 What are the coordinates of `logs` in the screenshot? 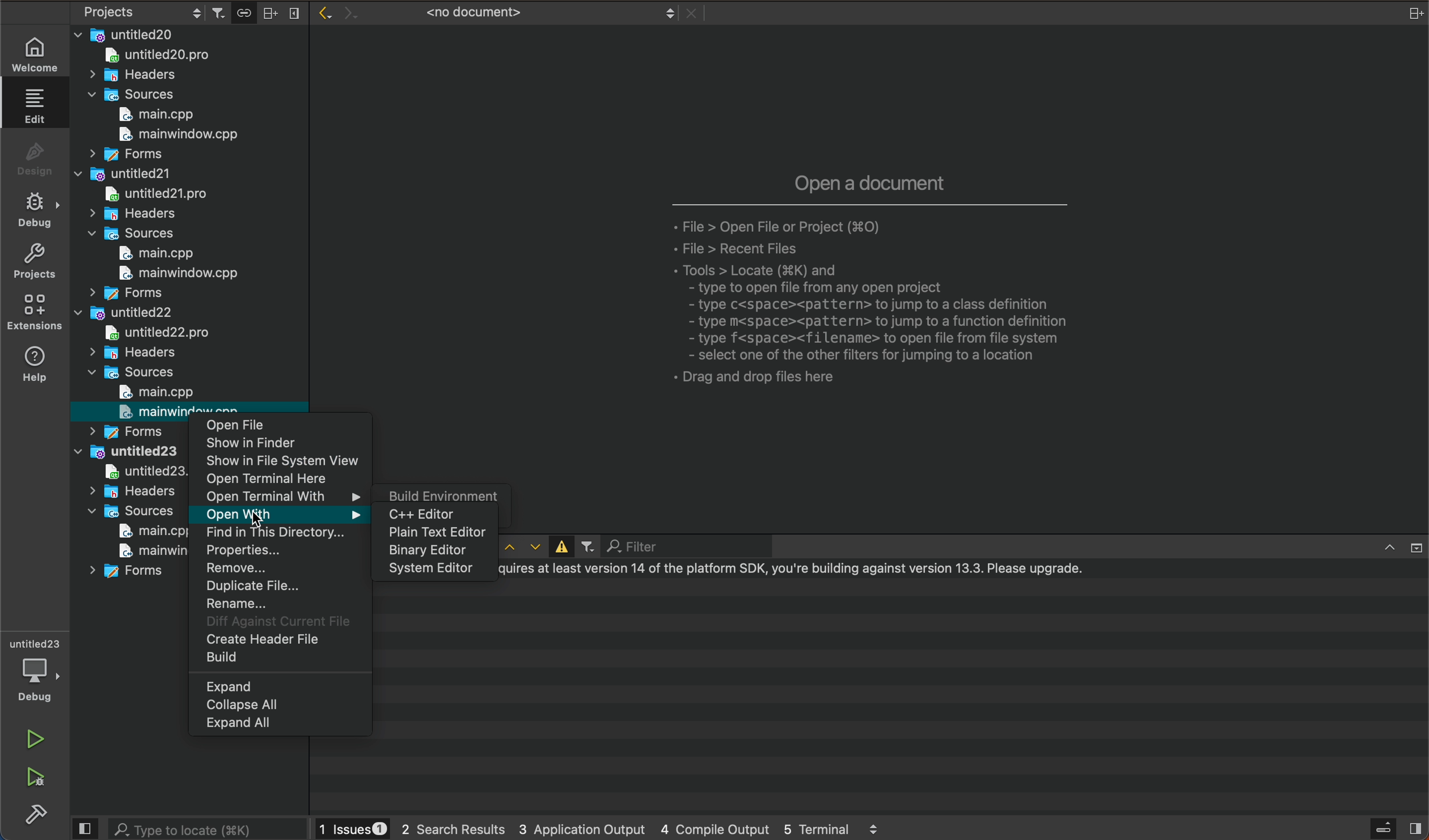 It's located at (607, 828).